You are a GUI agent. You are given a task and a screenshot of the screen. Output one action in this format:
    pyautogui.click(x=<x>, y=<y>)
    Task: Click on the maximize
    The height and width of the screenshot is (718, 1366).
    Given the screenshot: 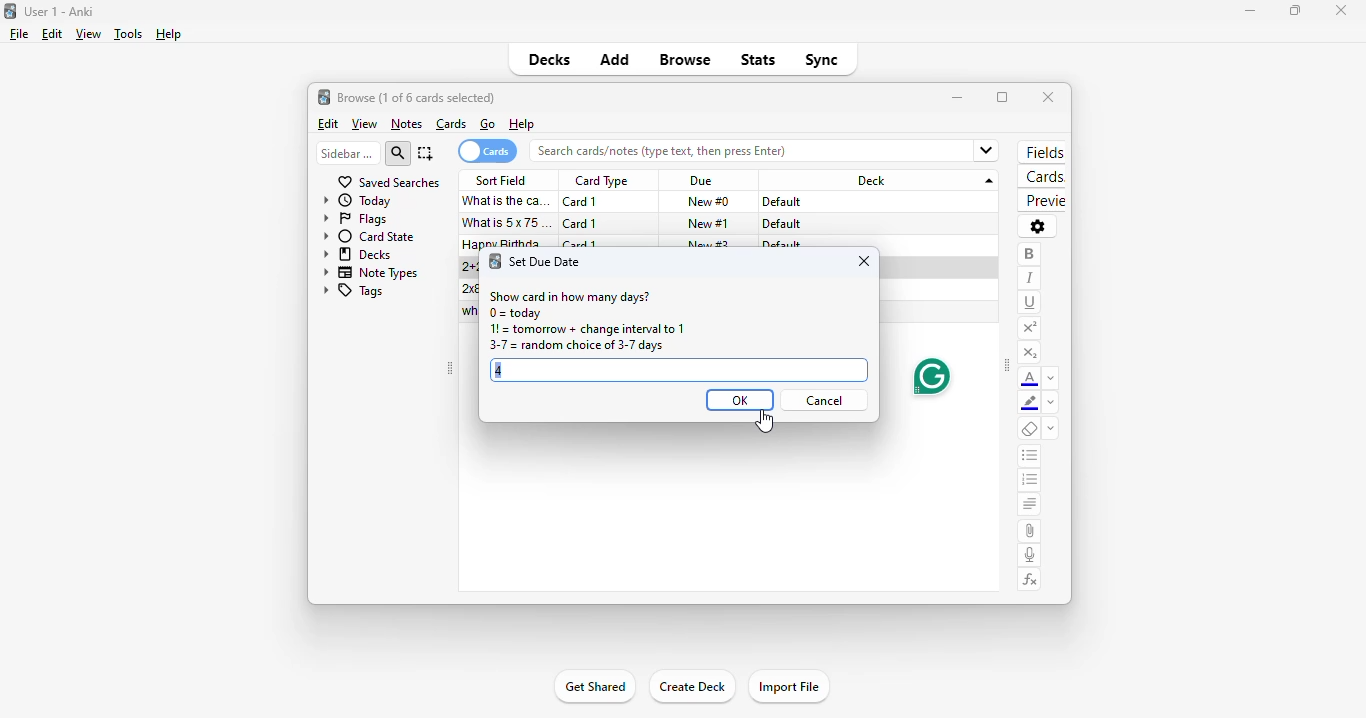 What is the action you would take?
    pyautogui.click(x=1002, y=97)
    